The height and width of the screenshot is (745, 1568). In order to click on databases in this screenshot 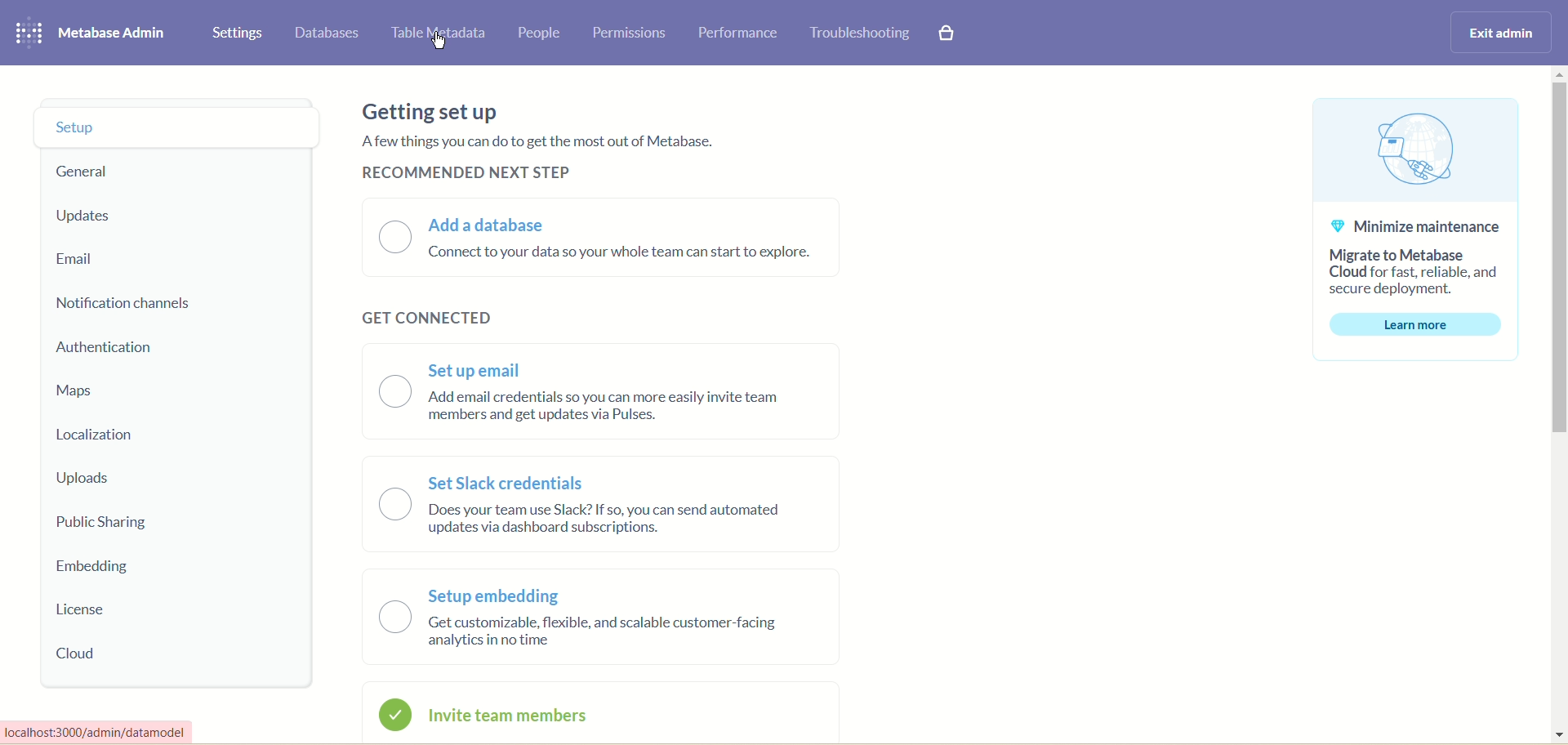, I will do `click(329, 33)`.